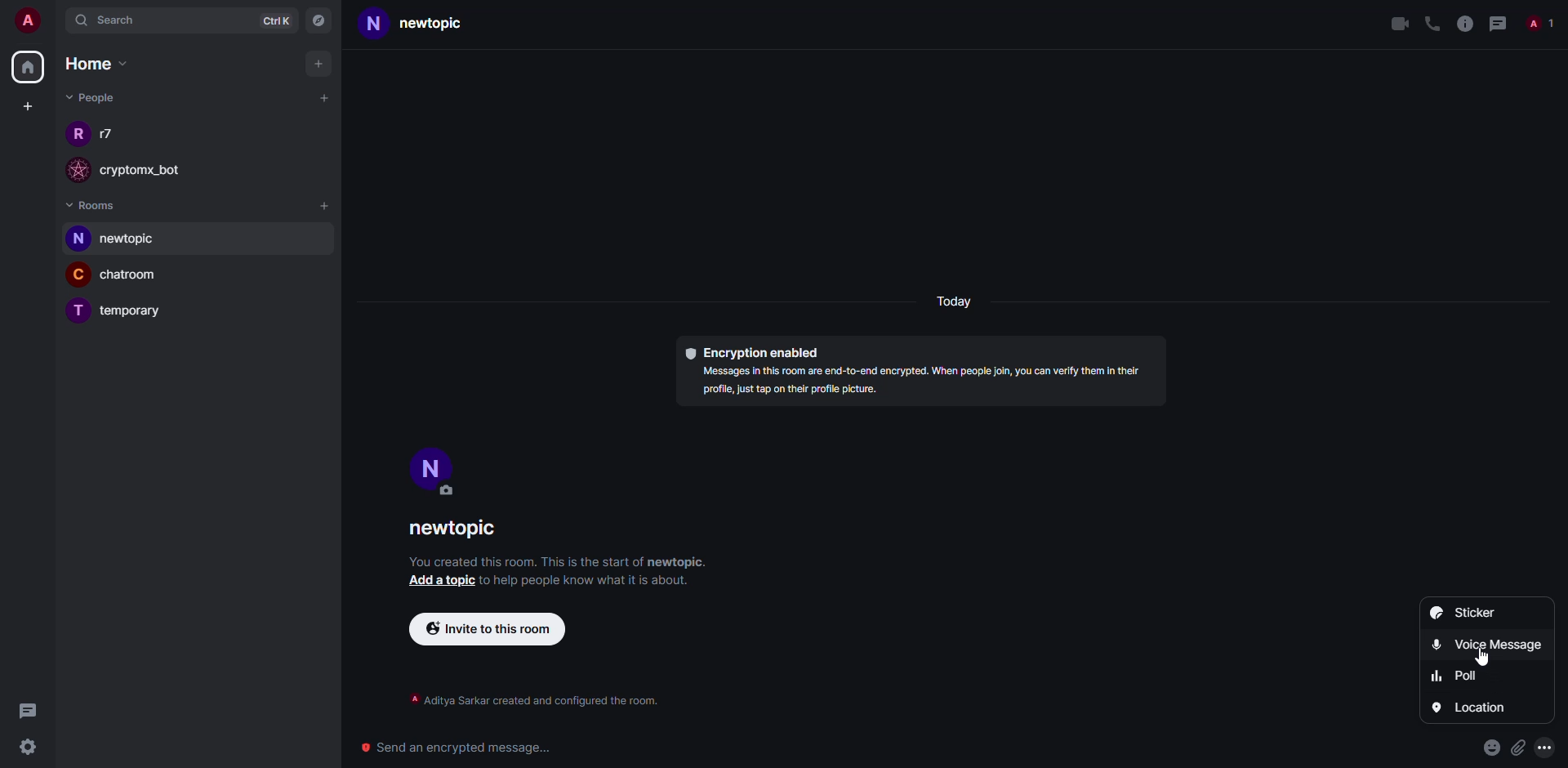  I want to click on more options, so click(1547, 748).